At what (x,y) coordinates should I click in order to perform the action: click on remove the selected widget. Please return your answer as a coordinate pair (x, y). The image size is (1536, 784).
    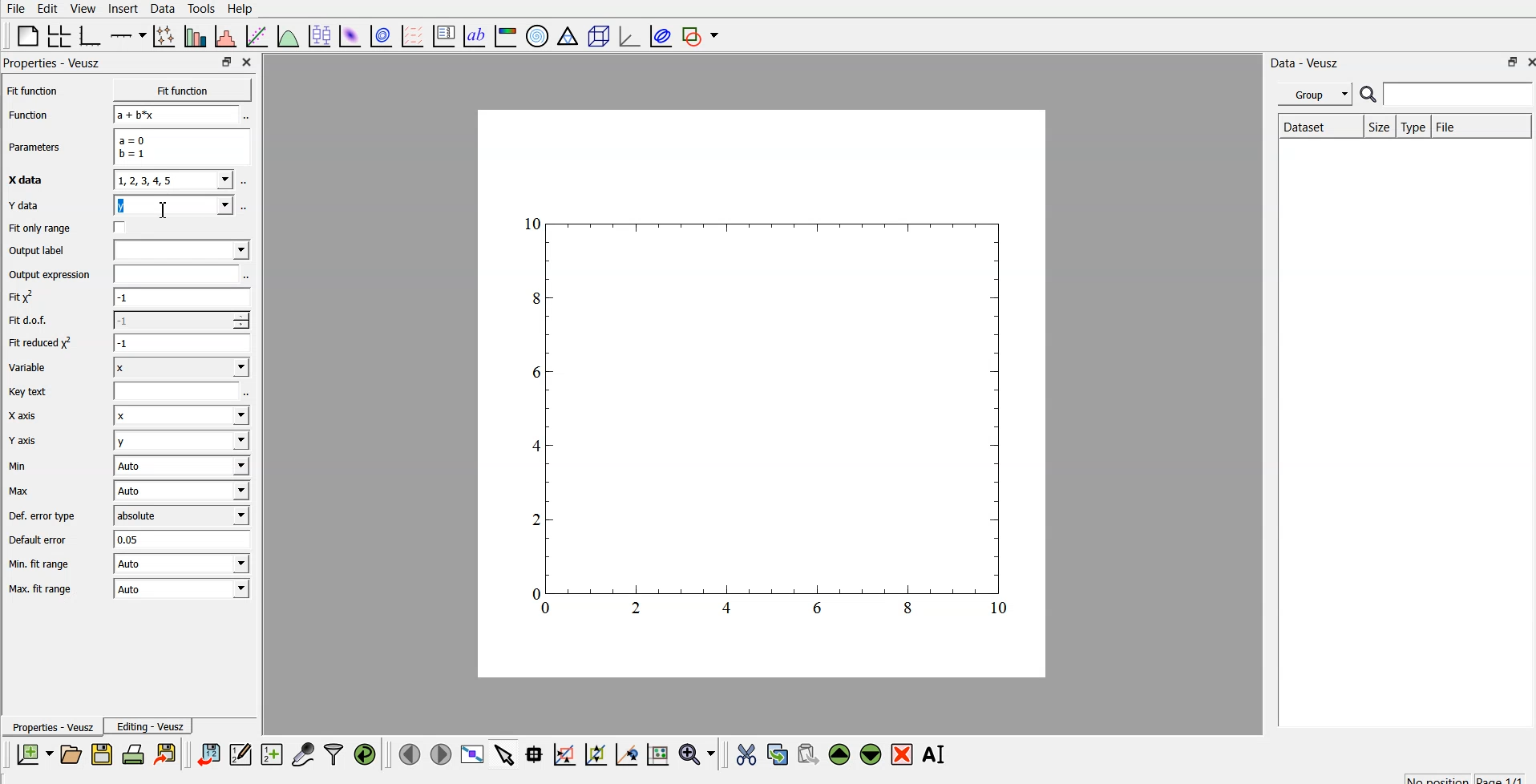
    Looking at the image, I should click on (903, 755).